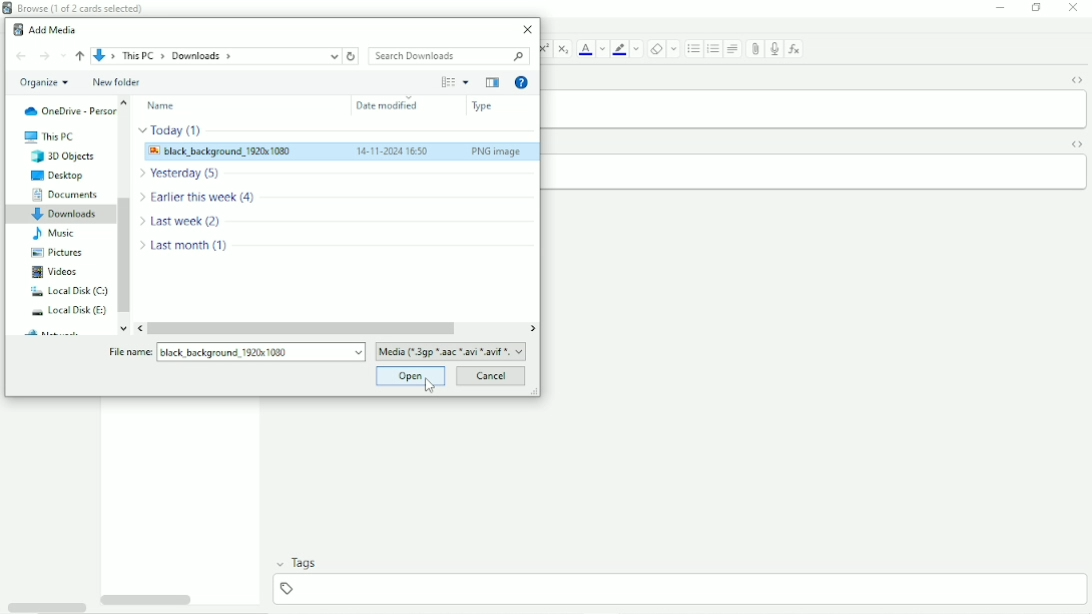 This screenshot has width=1092, height=614. What do you see at coordinates (334, 56) in the screenshot?
I see `up to current location` at bounding box center [334, 56].